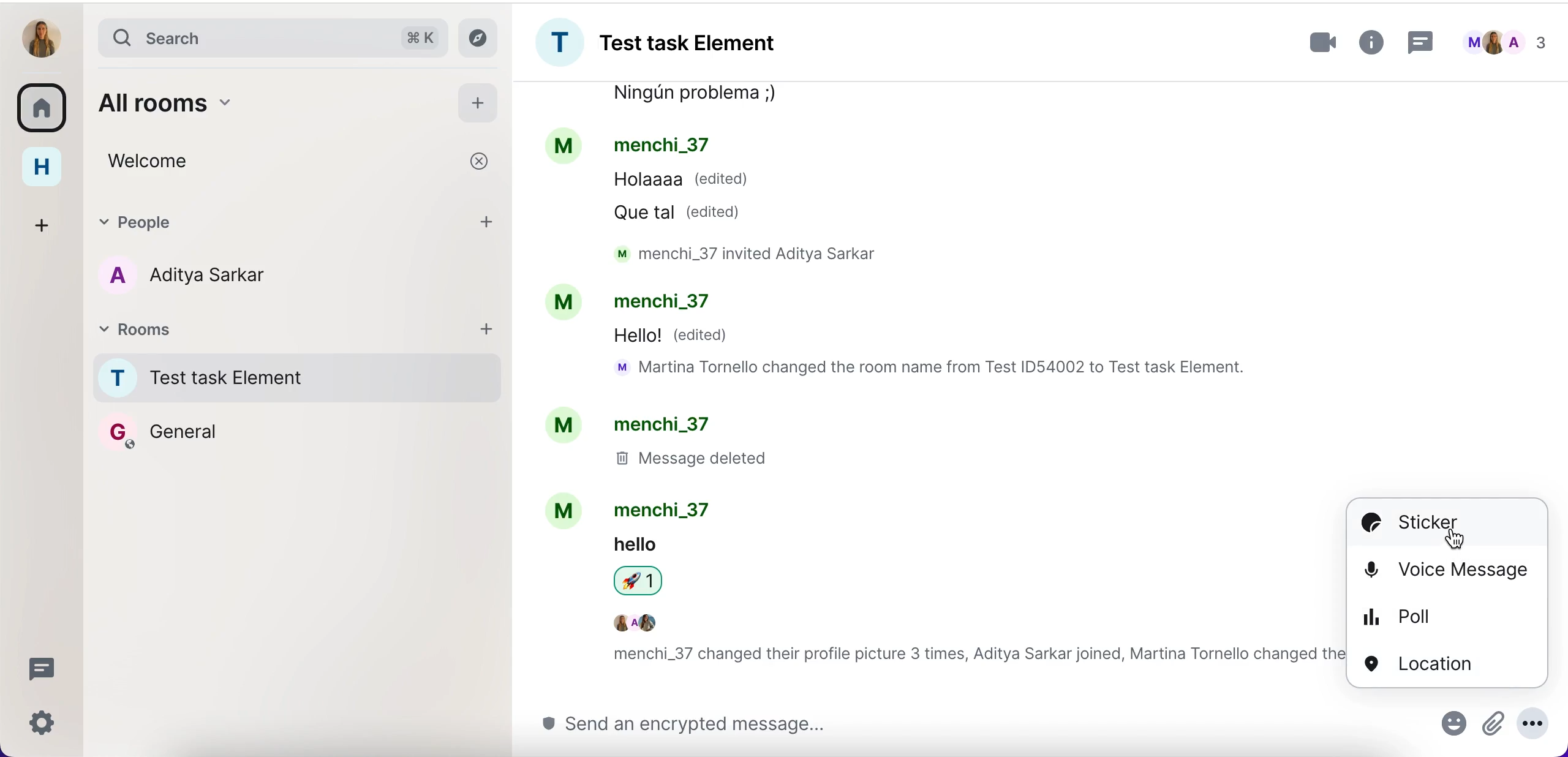 The image size is (1568, 757). I want to click on add, so click(477, 102).